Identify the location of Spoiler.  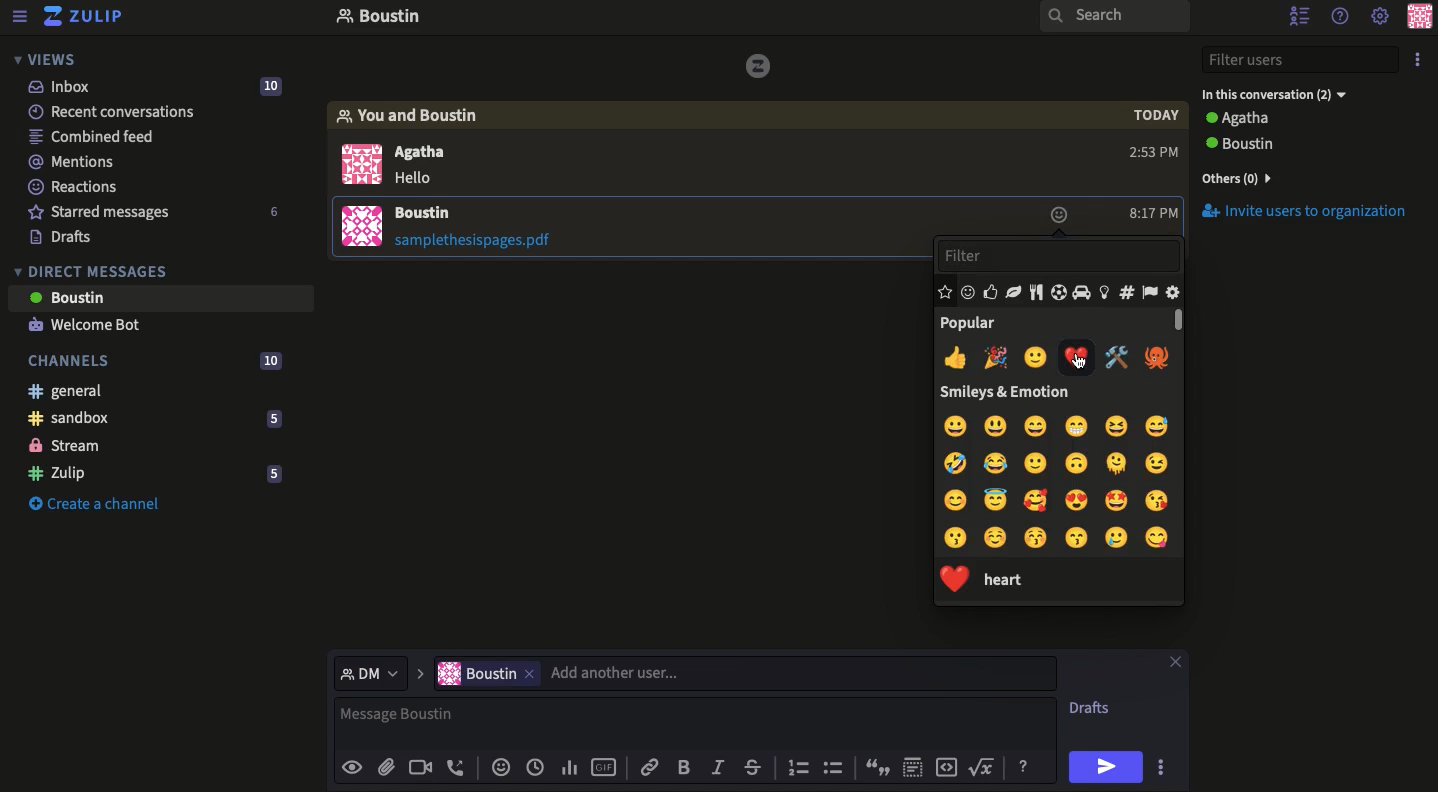
(911, 766).